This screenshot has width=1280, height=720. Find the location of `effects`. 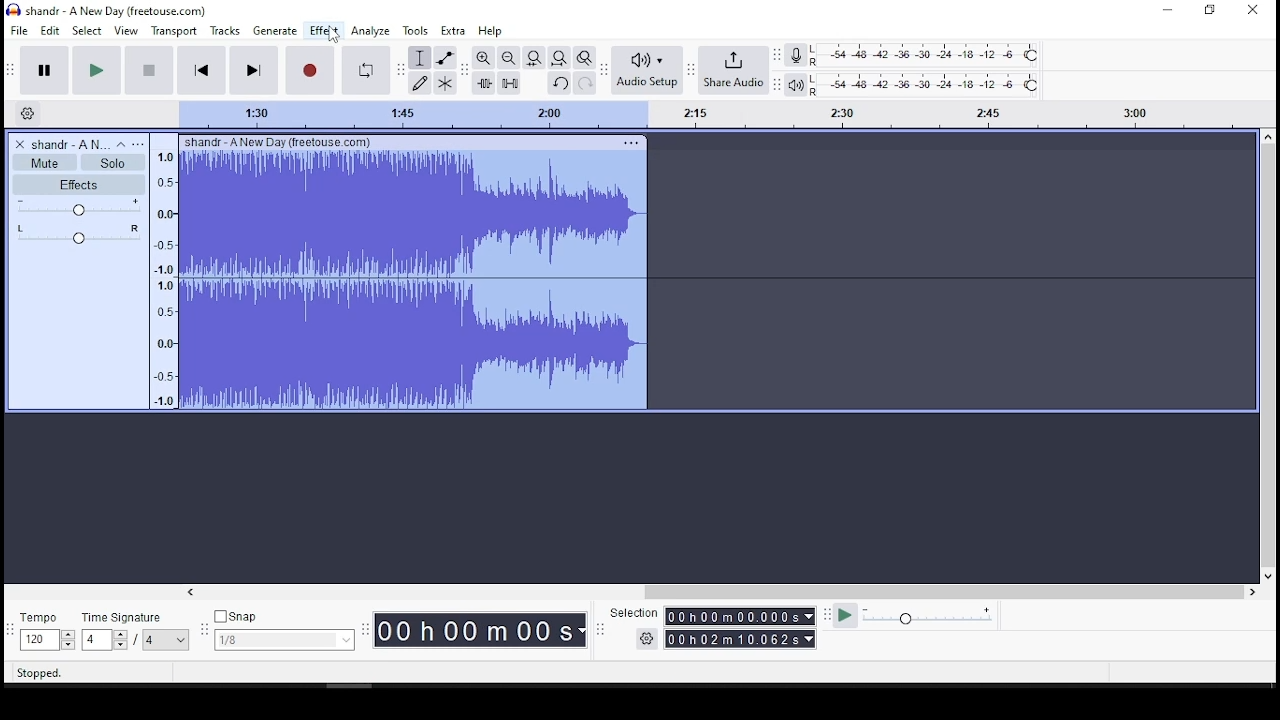

effects is located at coordinates (79, 185).